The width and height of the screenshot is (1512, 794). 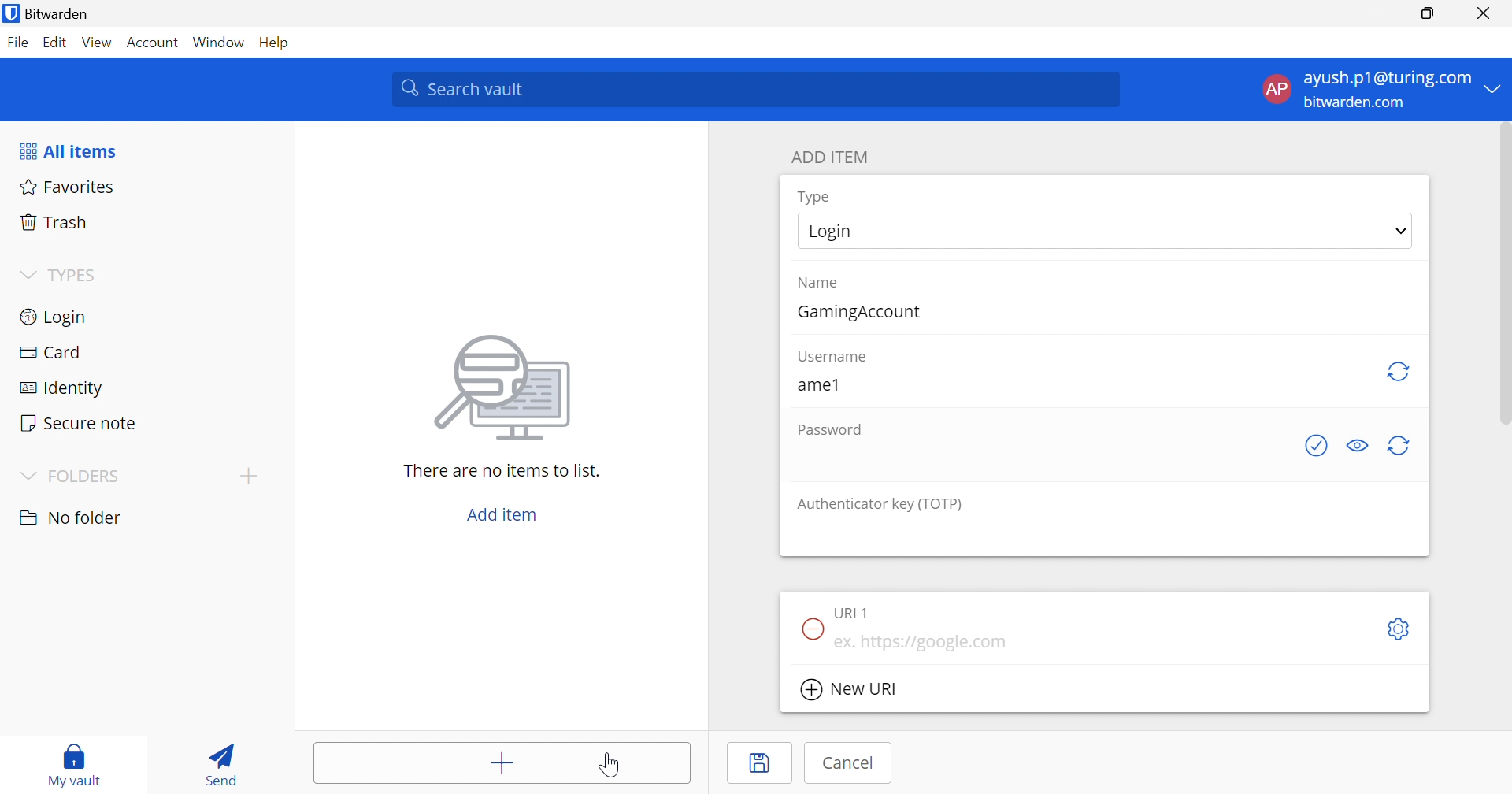 What do you see at coordinates (821, 284) in the screenshot?
I see `Name` at bounding box center [821, 284].